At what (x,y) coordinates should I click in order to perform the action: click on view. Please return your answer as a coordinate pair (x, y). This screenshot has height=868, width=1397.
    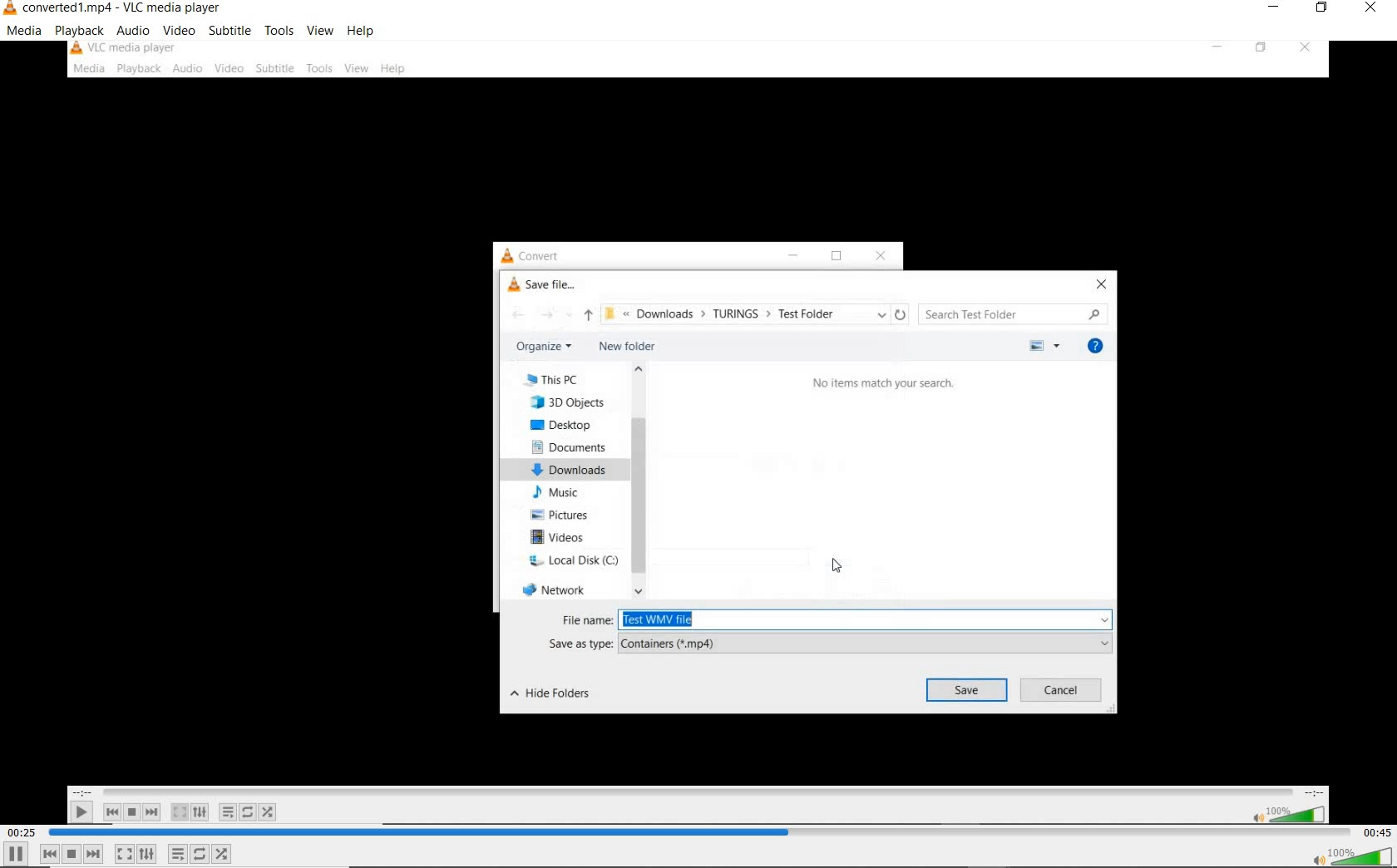
    Looking at the image, I should click on (321, 29).